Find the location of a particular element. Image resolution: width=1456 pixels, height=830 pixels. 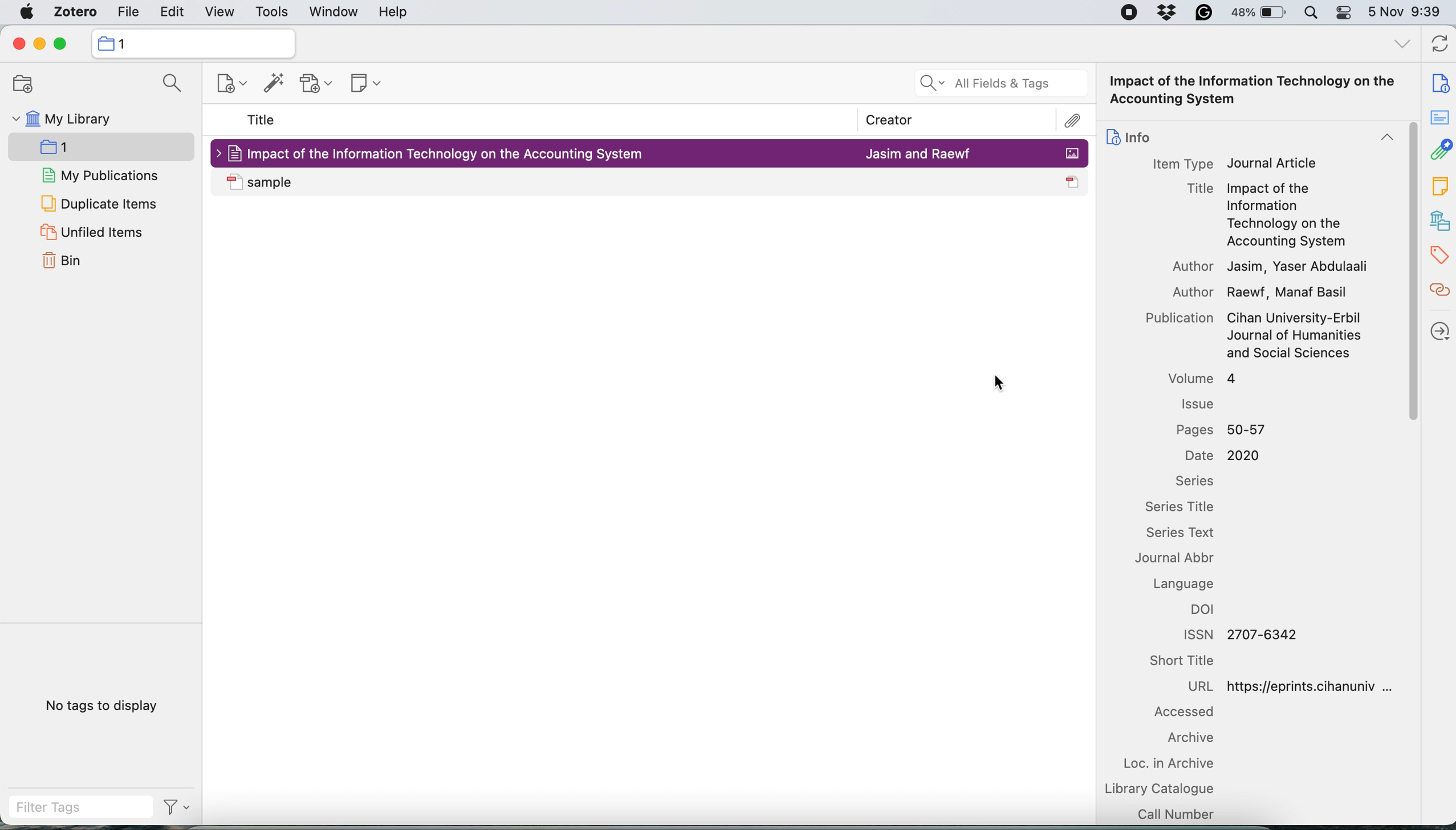

call number is located at coordinates (1178, 814).